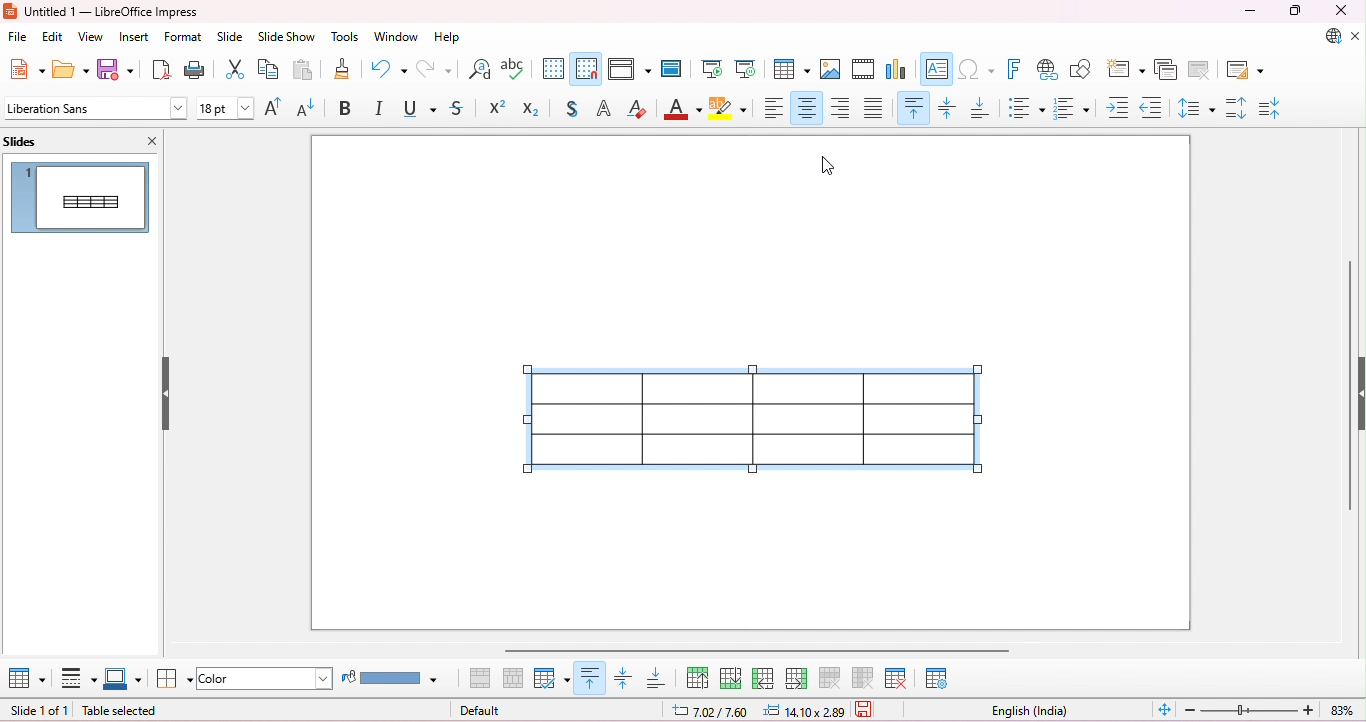 Image resolution: width=1366 pixels, height=722 pixels. What do you see at coordinates (482, 710) in the screenshot?
I see `default` at bounding box center [482, 710].